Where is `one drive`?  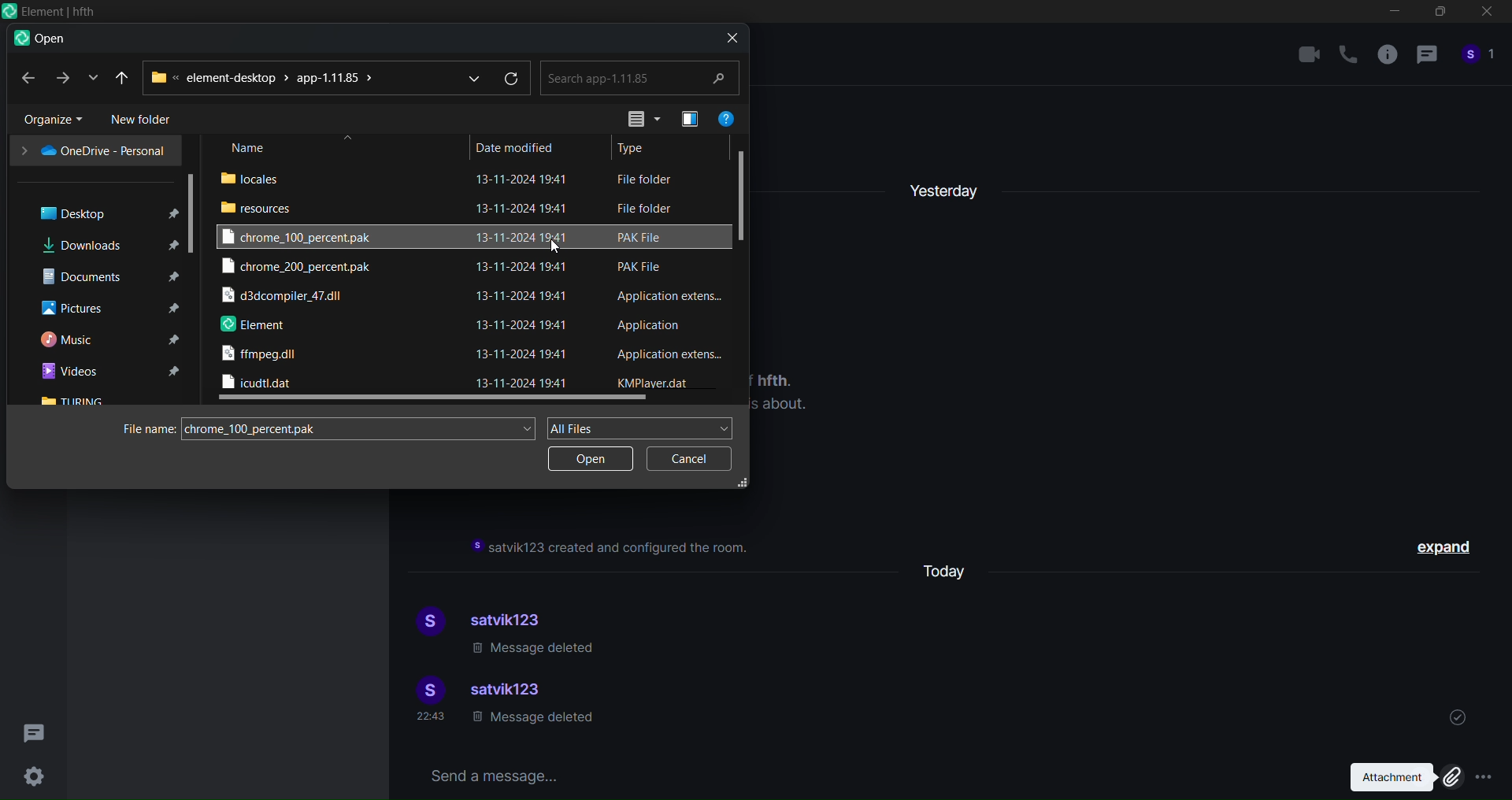
one drive is located at coordinates (92, 150).